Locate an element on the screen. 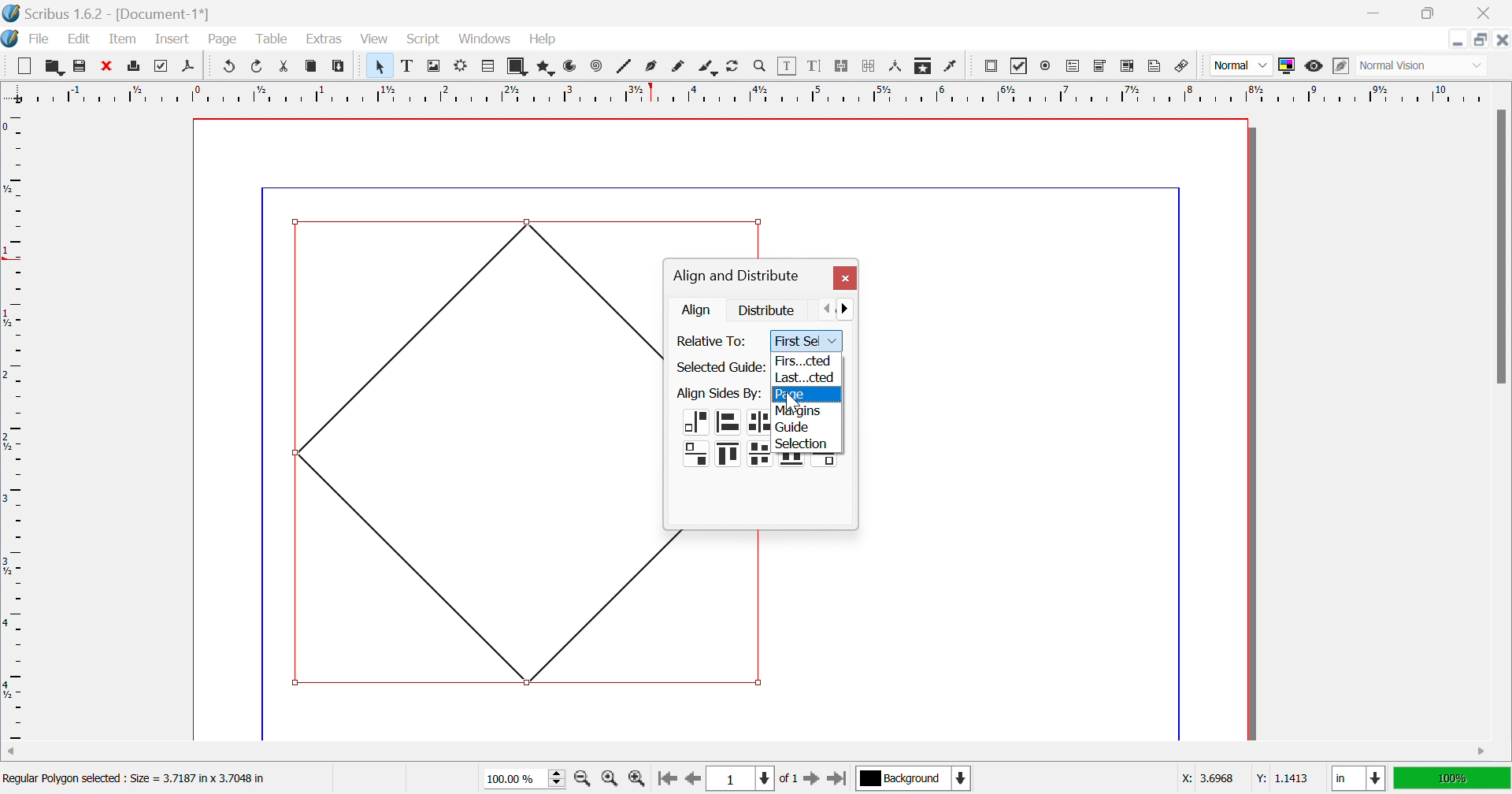  normal vision is located at coordinates (1410, 66).